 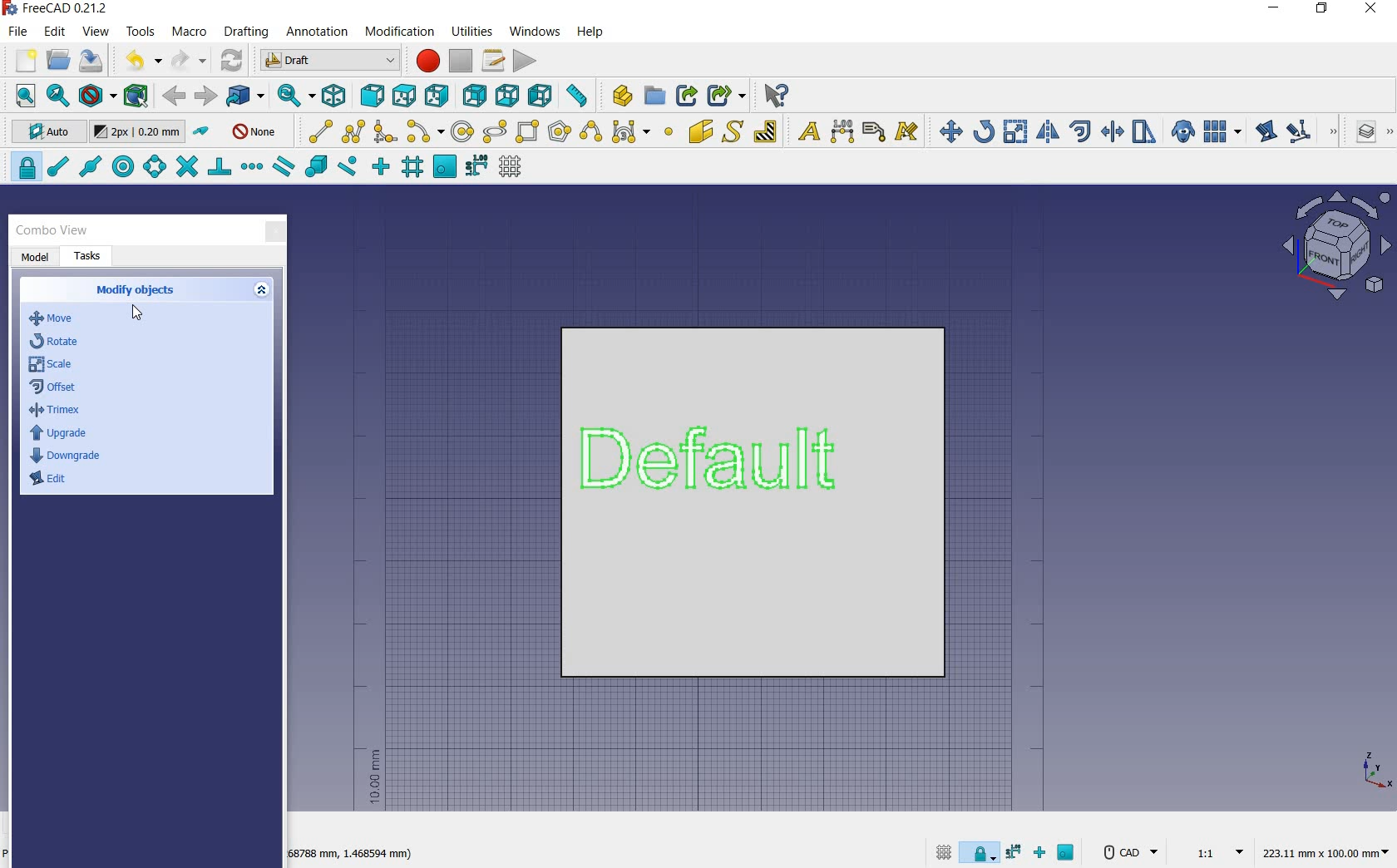 I want to click on current working plane: auto, so click(x=43, y=134).